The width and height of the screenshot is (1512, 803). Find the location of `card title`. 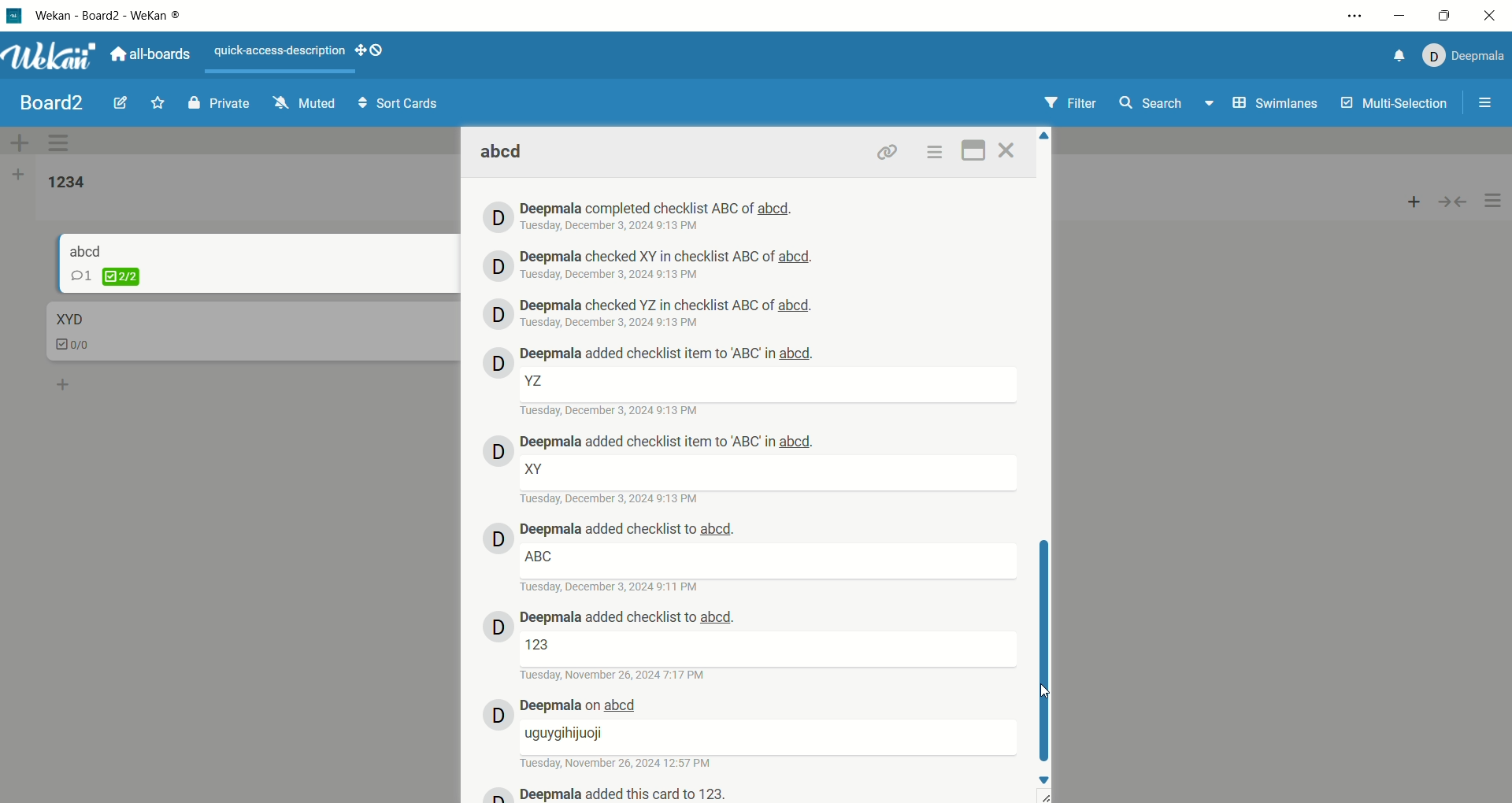

card title is located at coordinates (504, 153).